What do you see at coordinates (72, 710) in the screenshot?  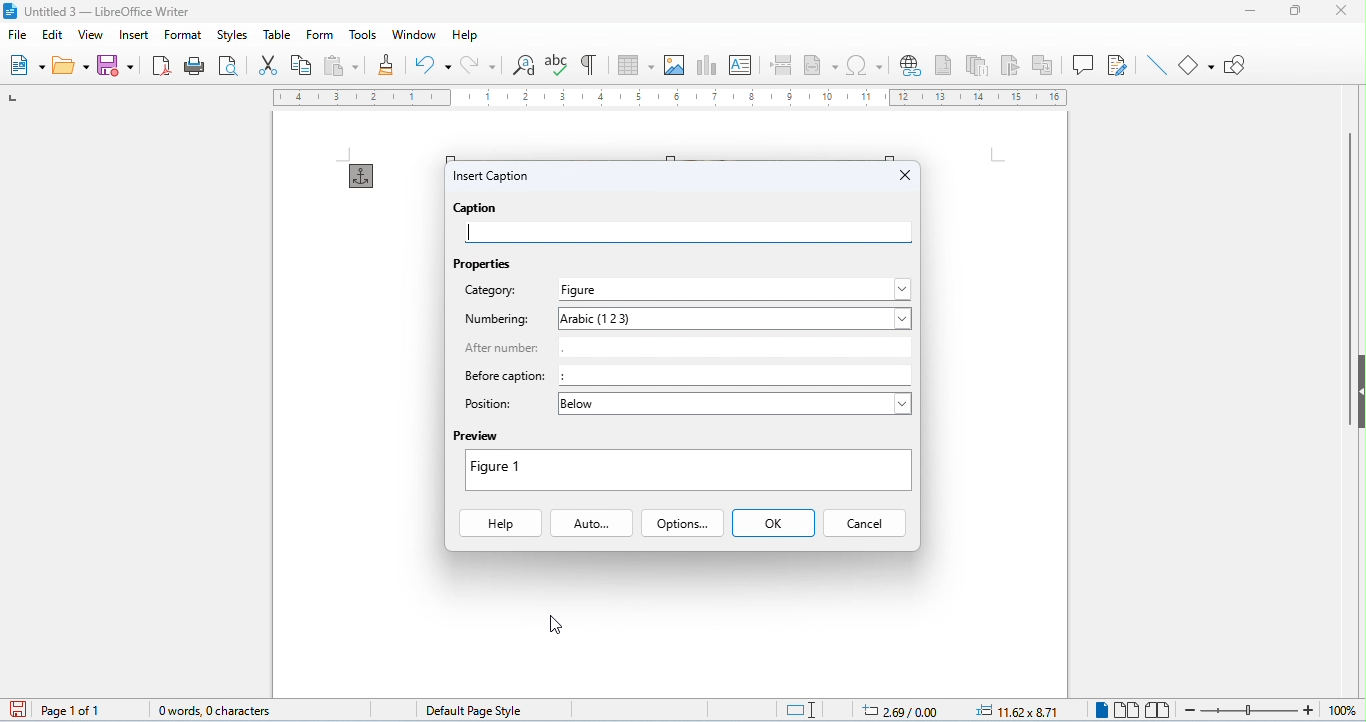 I see `page 1 of 1` at bounding box center [72, 710].